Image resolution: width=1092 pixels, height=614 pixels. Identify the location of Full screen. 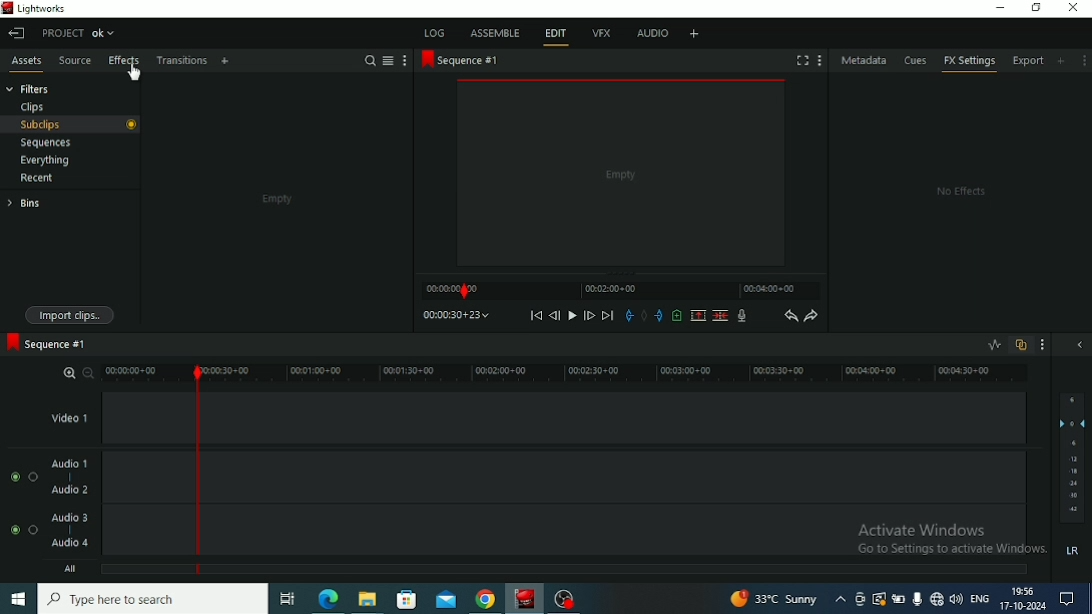
(803, 60).